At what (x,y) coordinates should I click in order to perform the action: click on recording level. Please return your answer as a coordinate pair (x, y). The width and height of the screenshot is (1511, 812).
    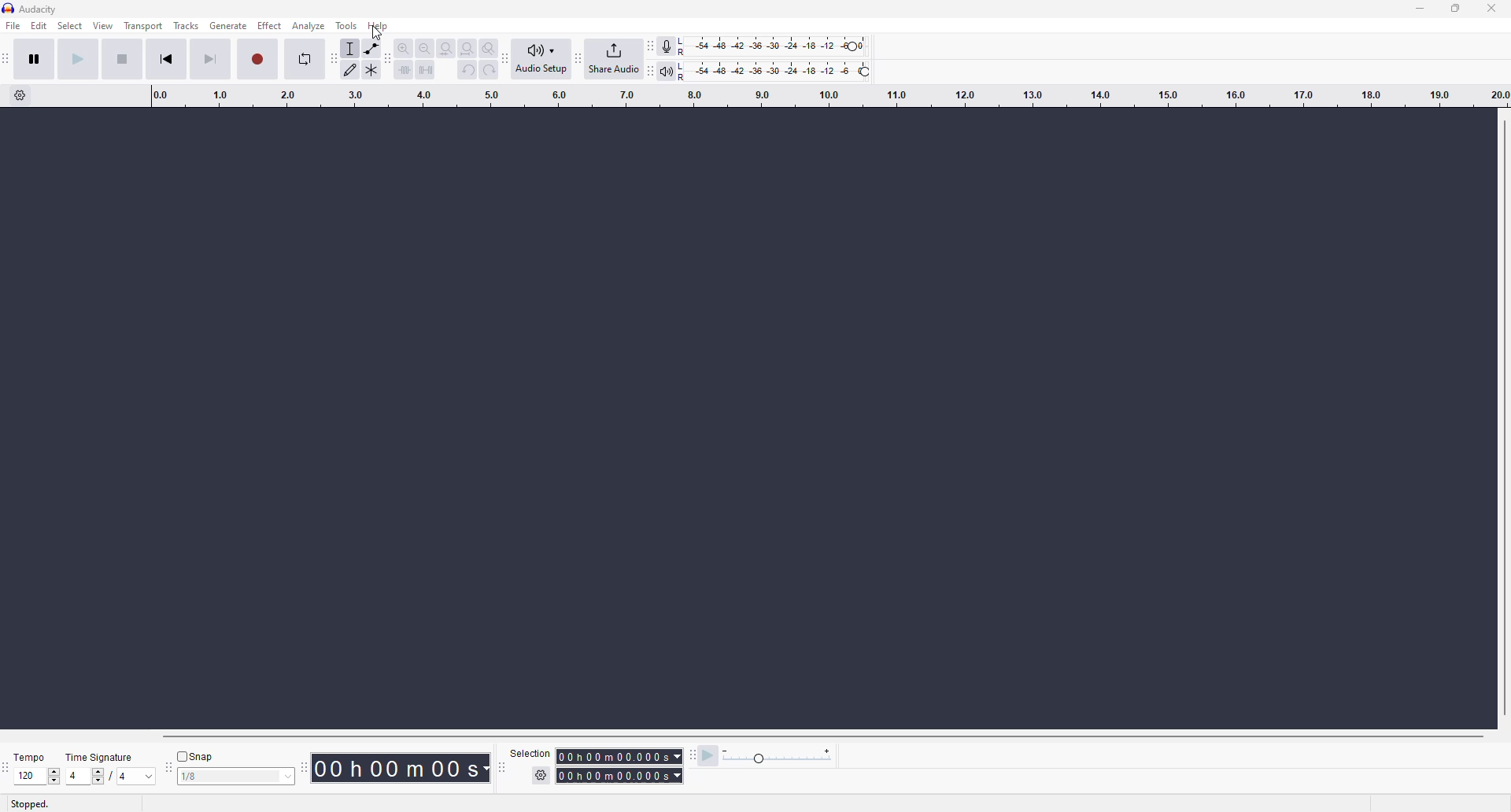
    Looking at the image, I should click on (782, 44).